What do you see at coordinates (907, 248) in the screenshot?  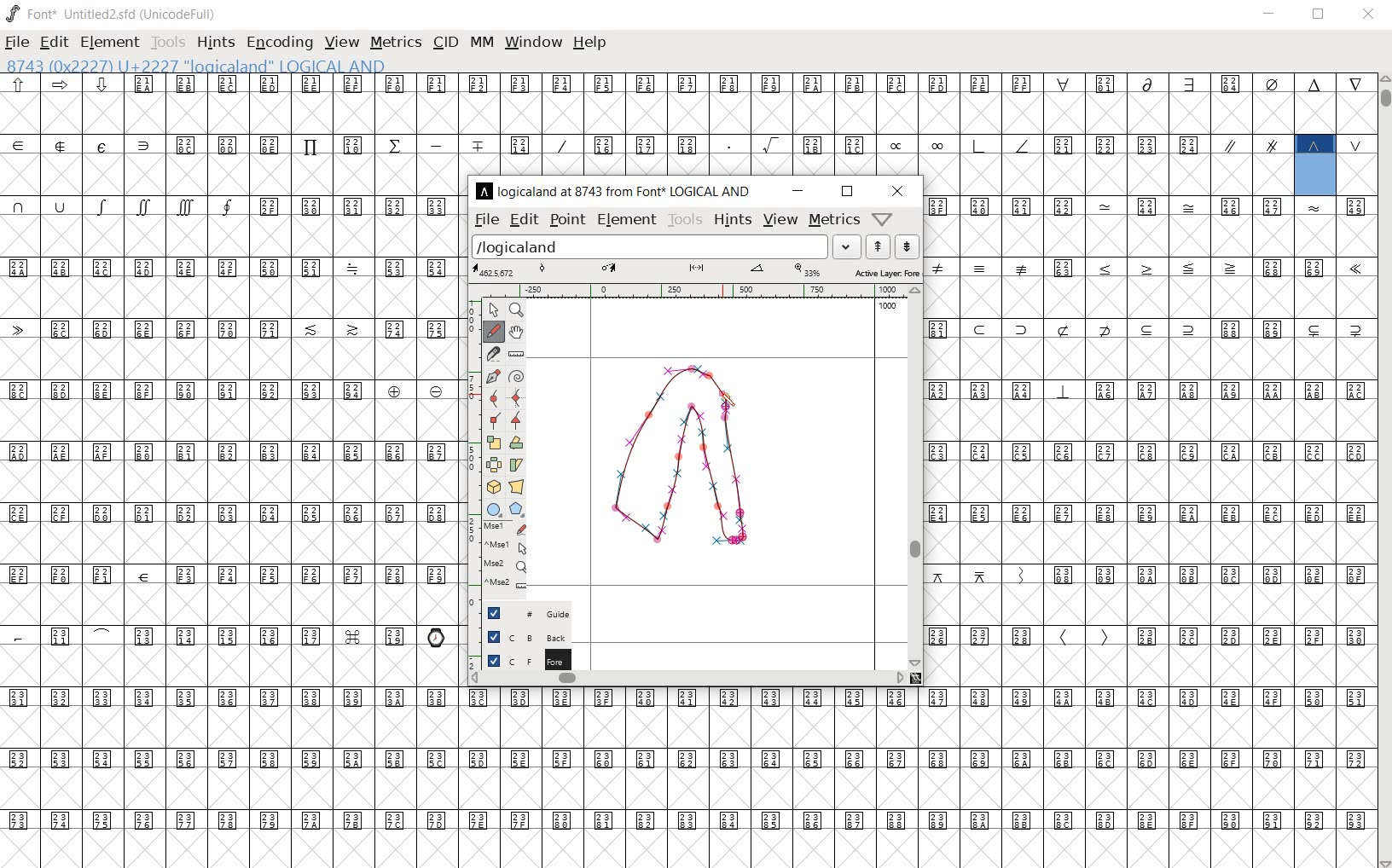 I see `show the previous word on the list` at bounding box center [907, 248].